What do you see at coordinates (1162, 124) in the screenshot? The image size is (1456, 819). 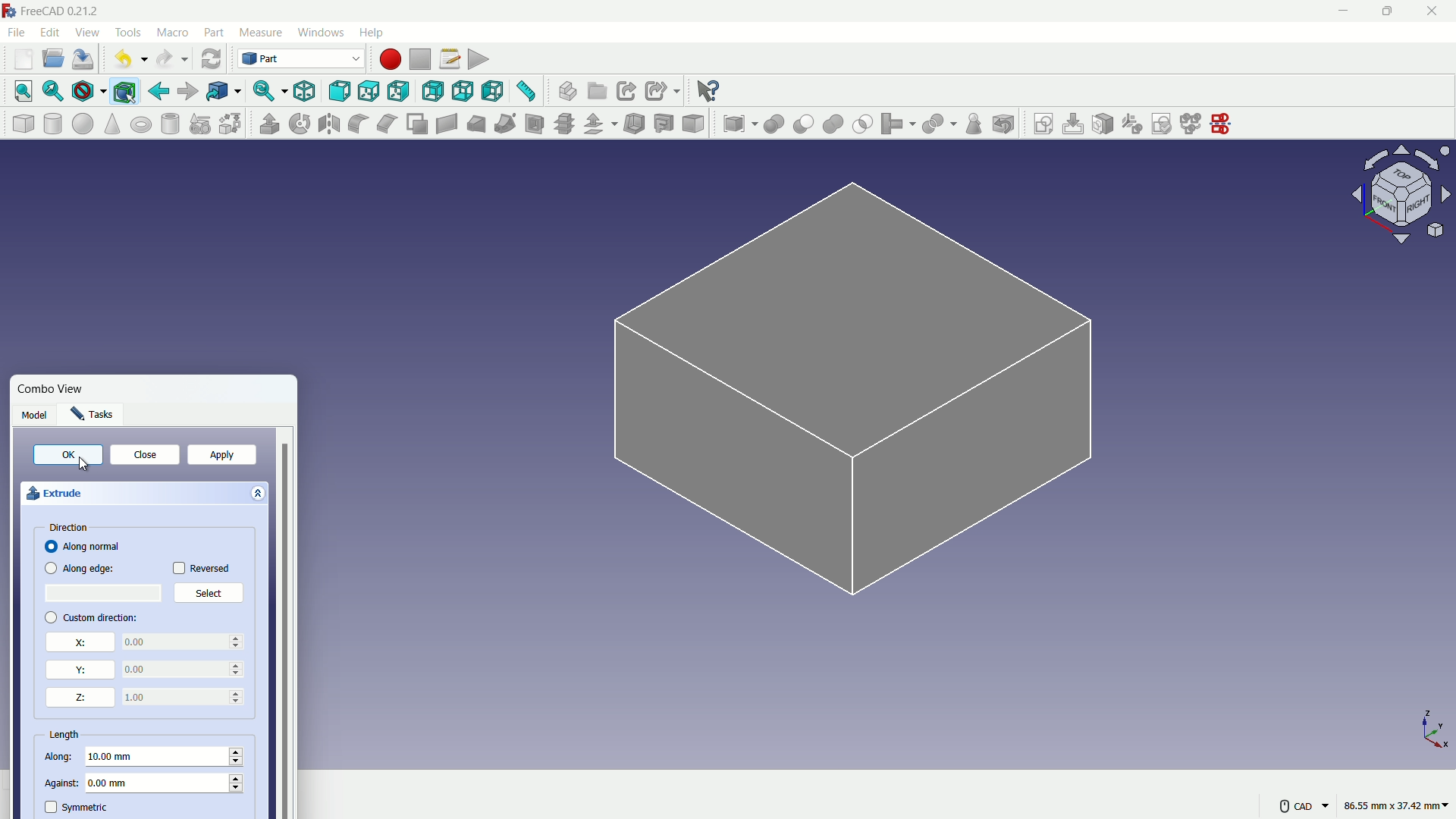 I see `validate sketch` at bounding box center [1162, 124].